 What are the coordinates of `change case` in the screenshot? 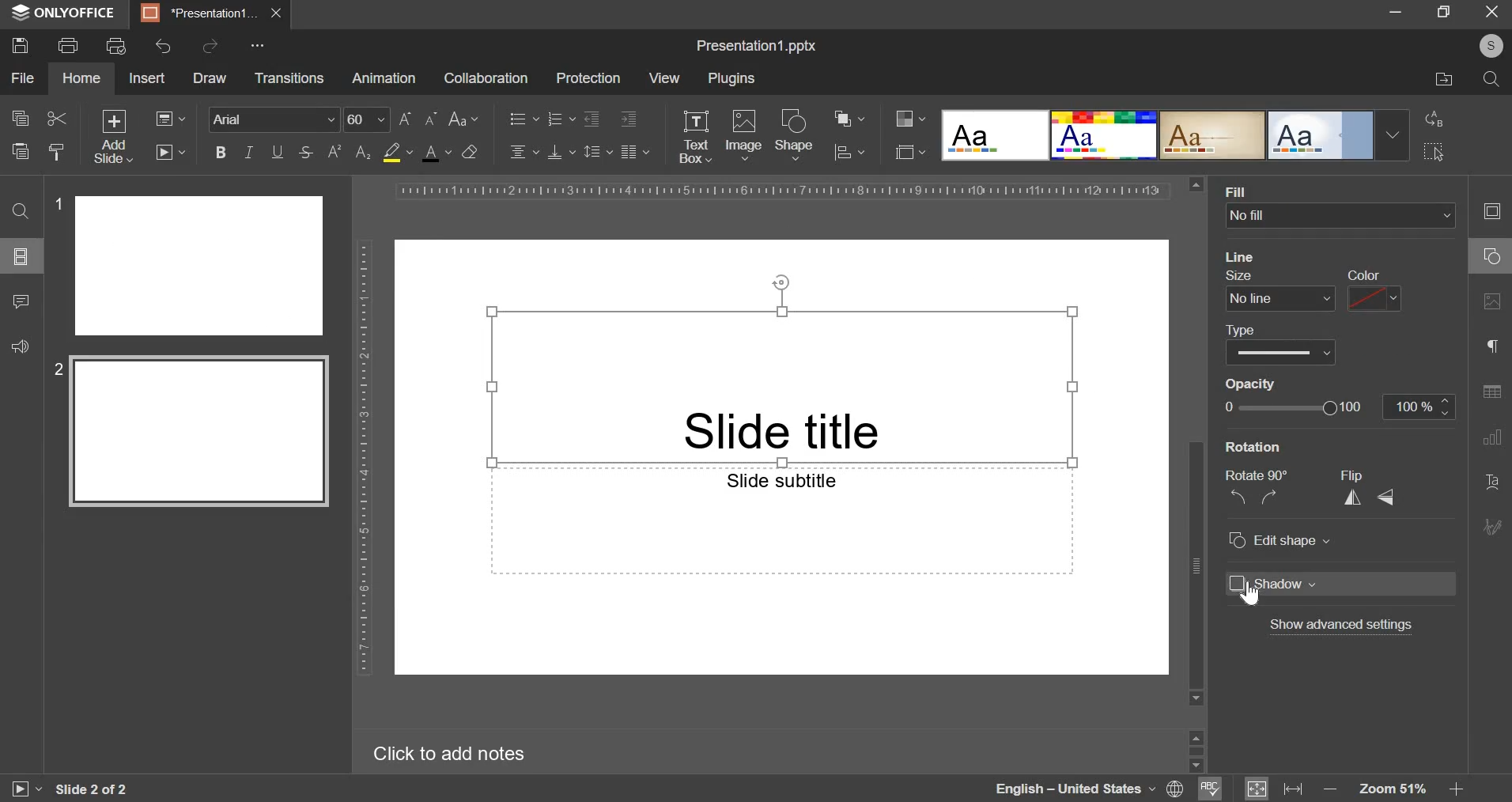 It's located at (464, 117).